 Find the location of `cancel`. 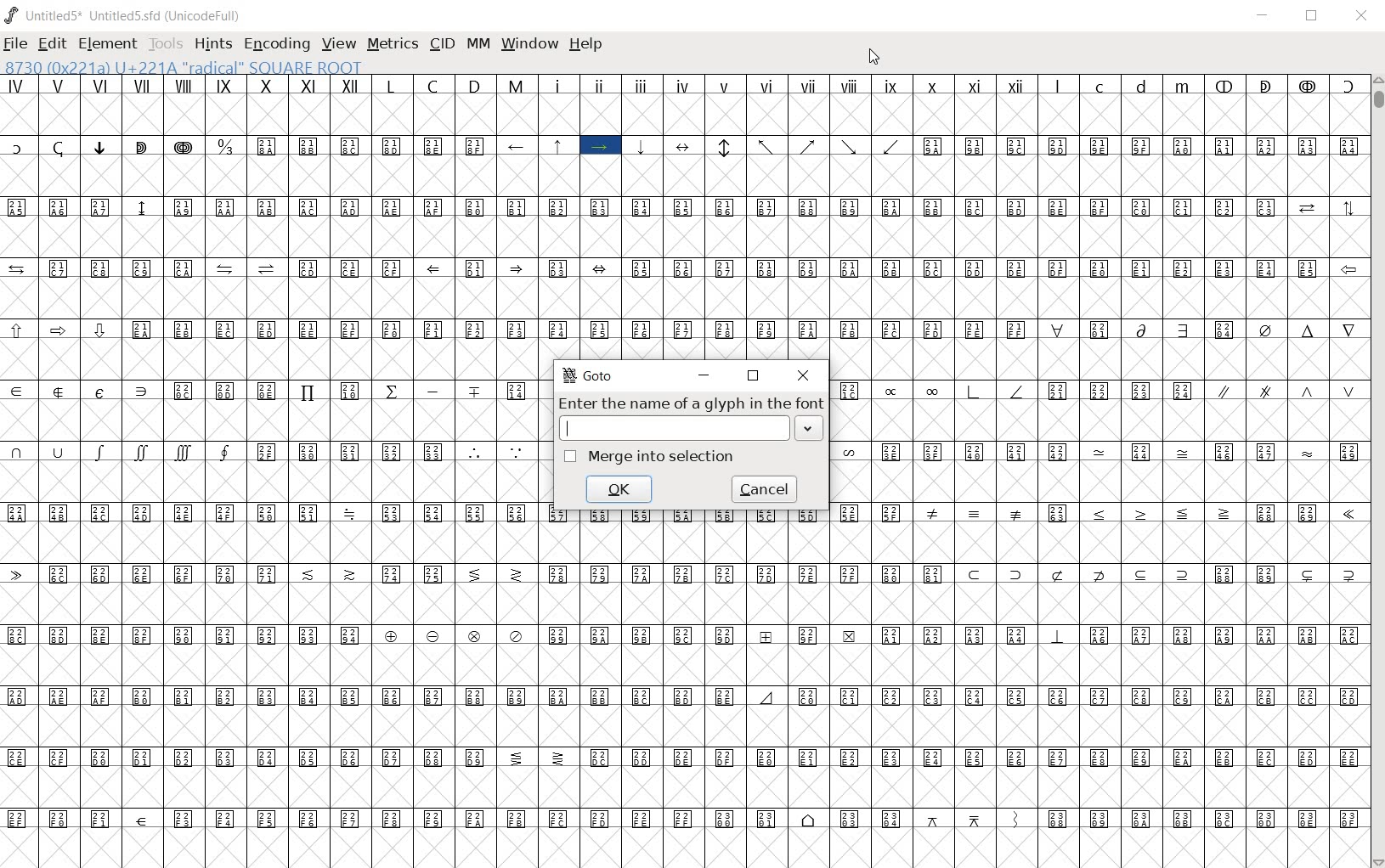

cancel is located at coordinates (763, 489).